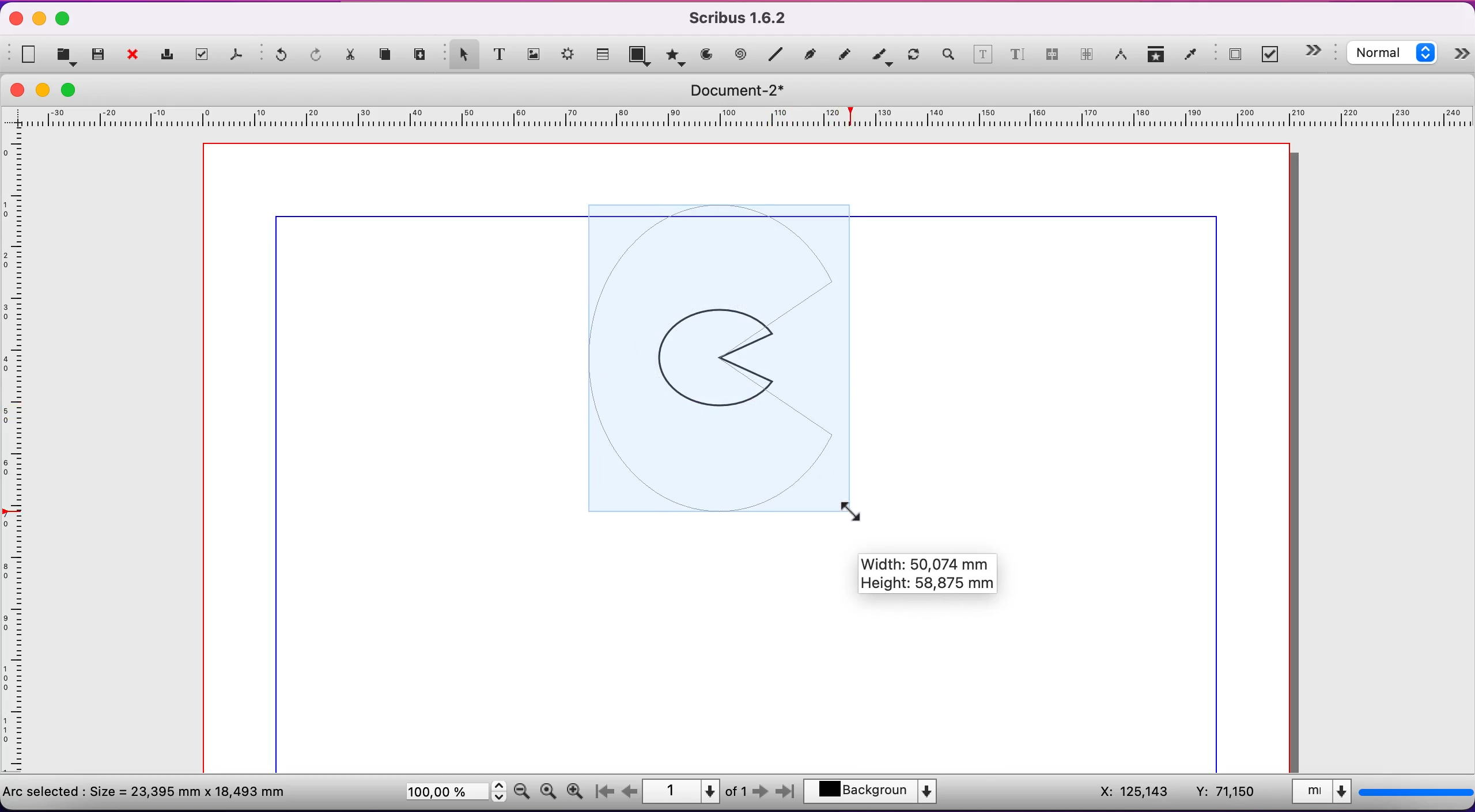  Describe the element at coordinates (500, 54) in the screenshot. I see `text frame` at that location.